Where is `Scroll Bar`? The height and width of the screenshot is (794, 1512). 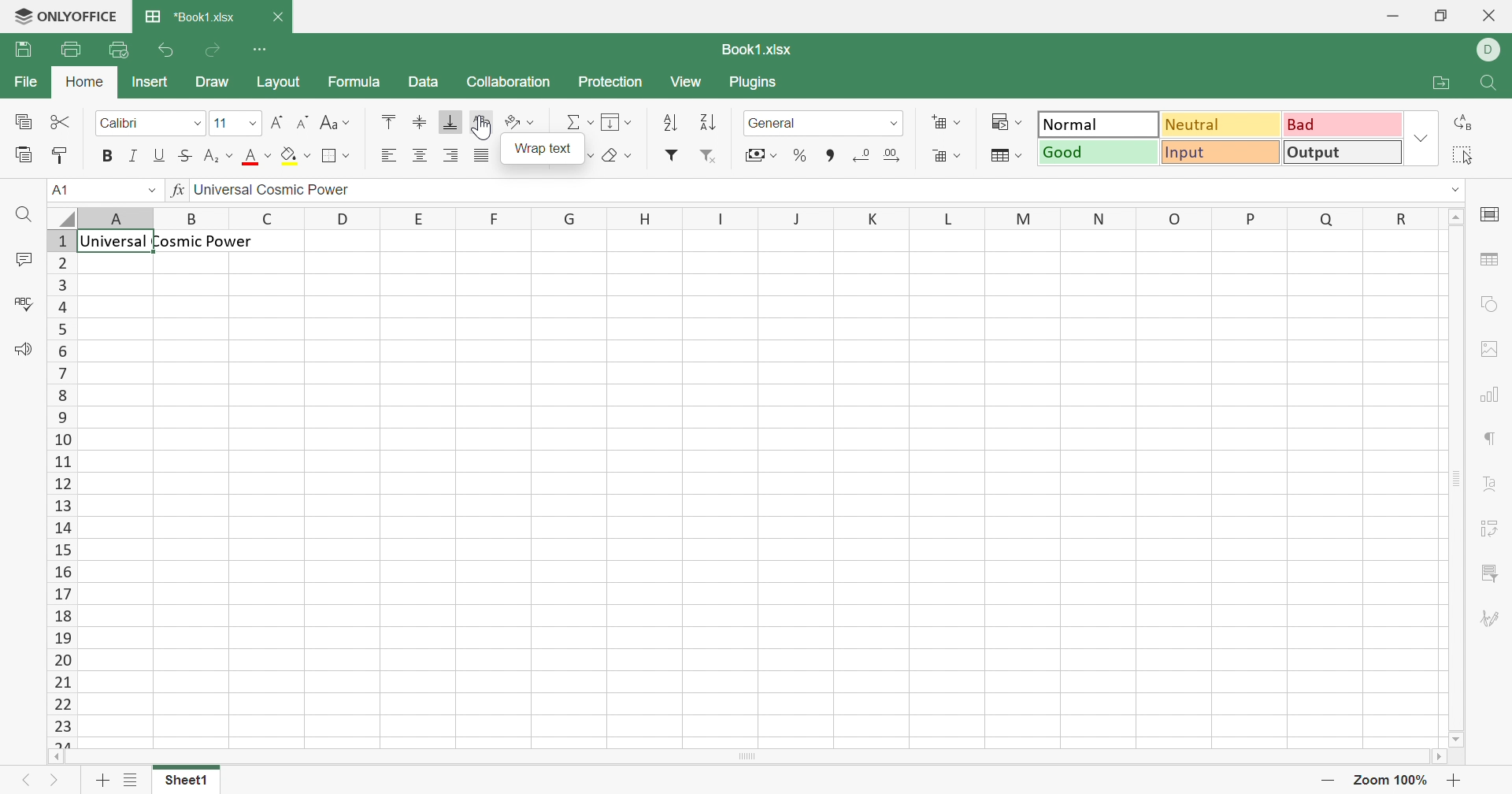
Scroll Bar is located at coordinates (1459, 486).